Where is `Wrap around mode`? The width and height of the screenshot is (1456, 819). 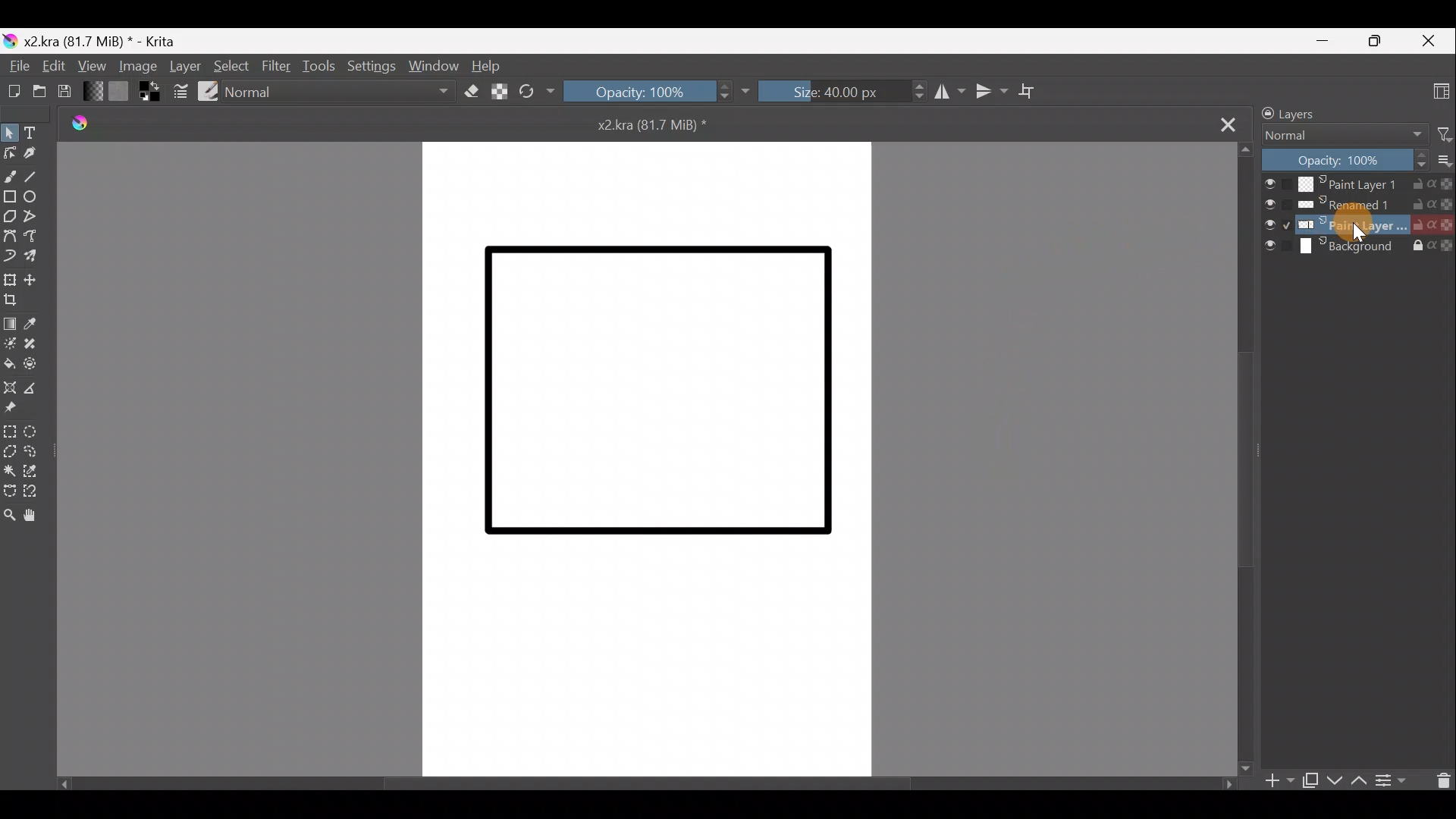
Wrap around mode is located at coordinates (1032, 90).